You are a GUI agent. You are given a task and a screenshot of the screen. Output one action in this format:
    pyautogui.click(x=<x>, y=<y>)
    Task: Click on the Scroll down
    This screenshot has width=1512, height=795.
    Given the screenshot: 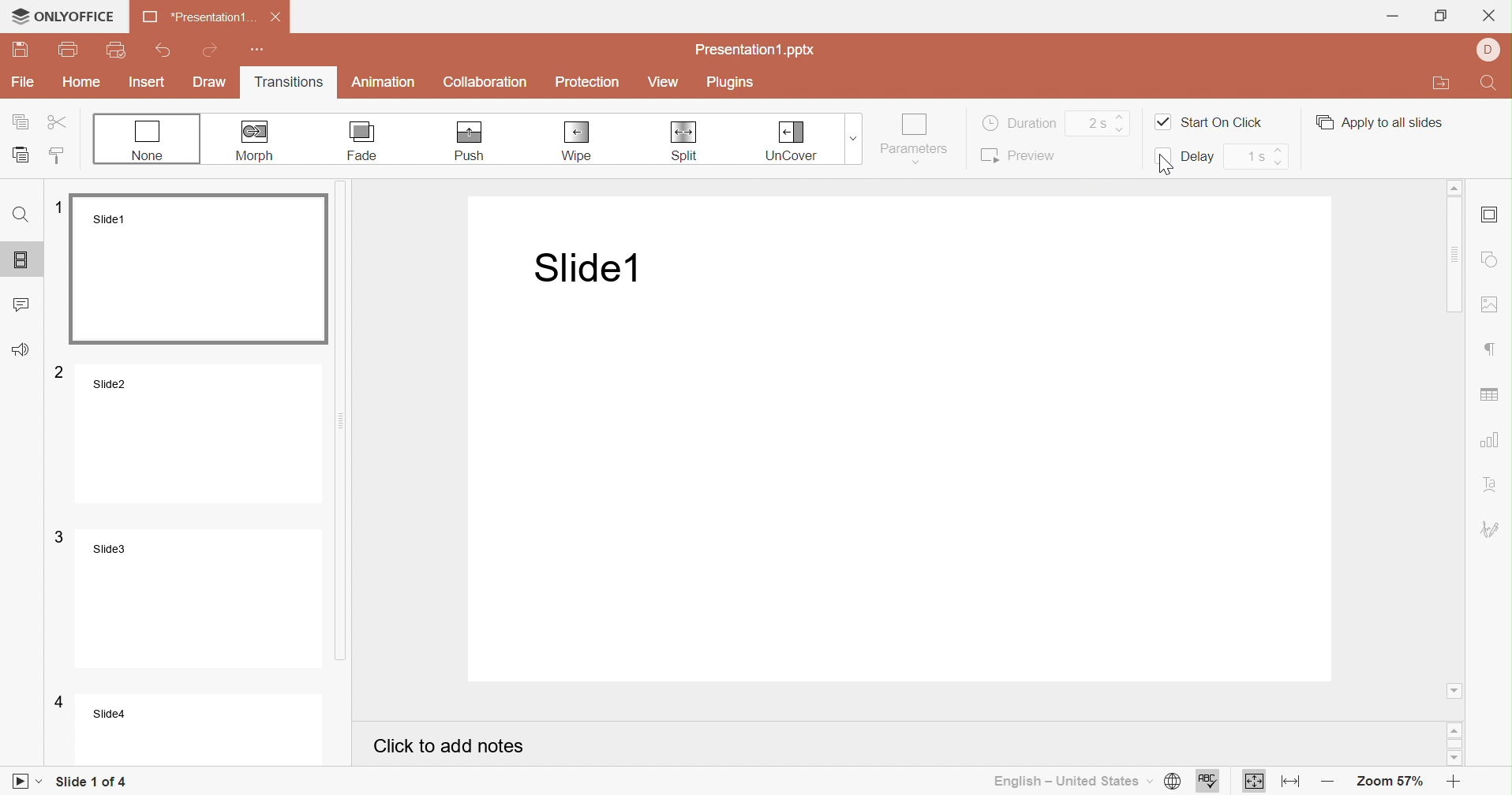 What is the action you would take?
    pyautogui.click(x=1454, y=691)
    